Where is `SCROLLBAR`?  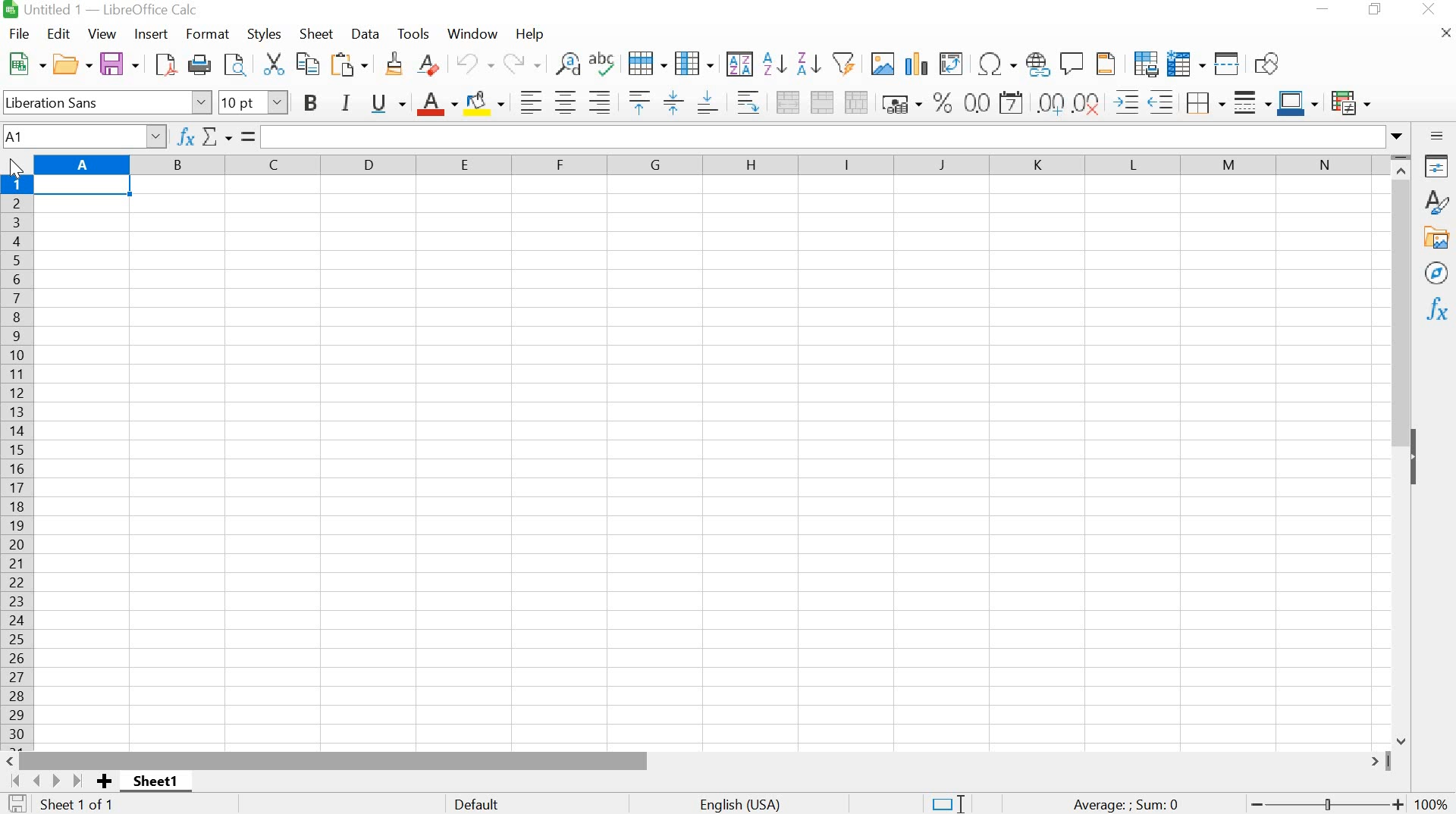 SCROLLBAR is located at coordinates (699, 761).